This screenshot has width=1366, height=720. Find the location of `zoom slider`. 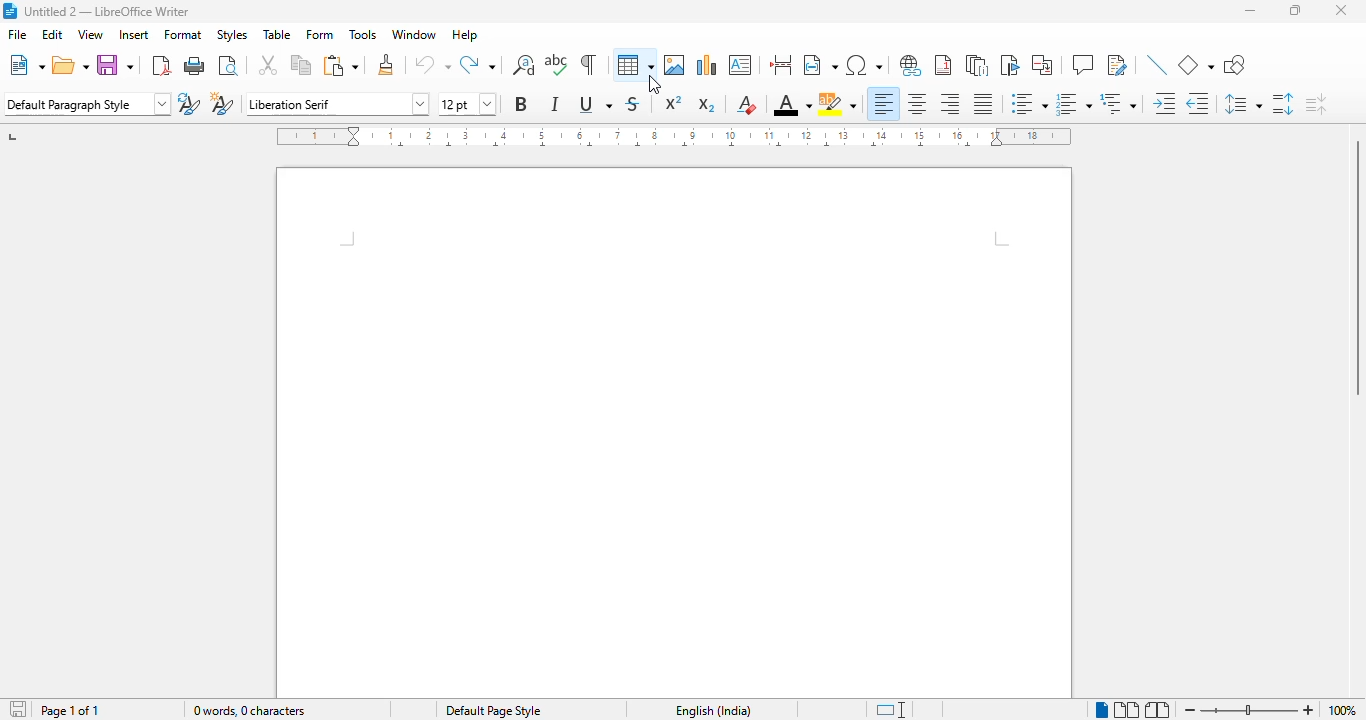

zoom slider is located at coordinates (1253, 710).